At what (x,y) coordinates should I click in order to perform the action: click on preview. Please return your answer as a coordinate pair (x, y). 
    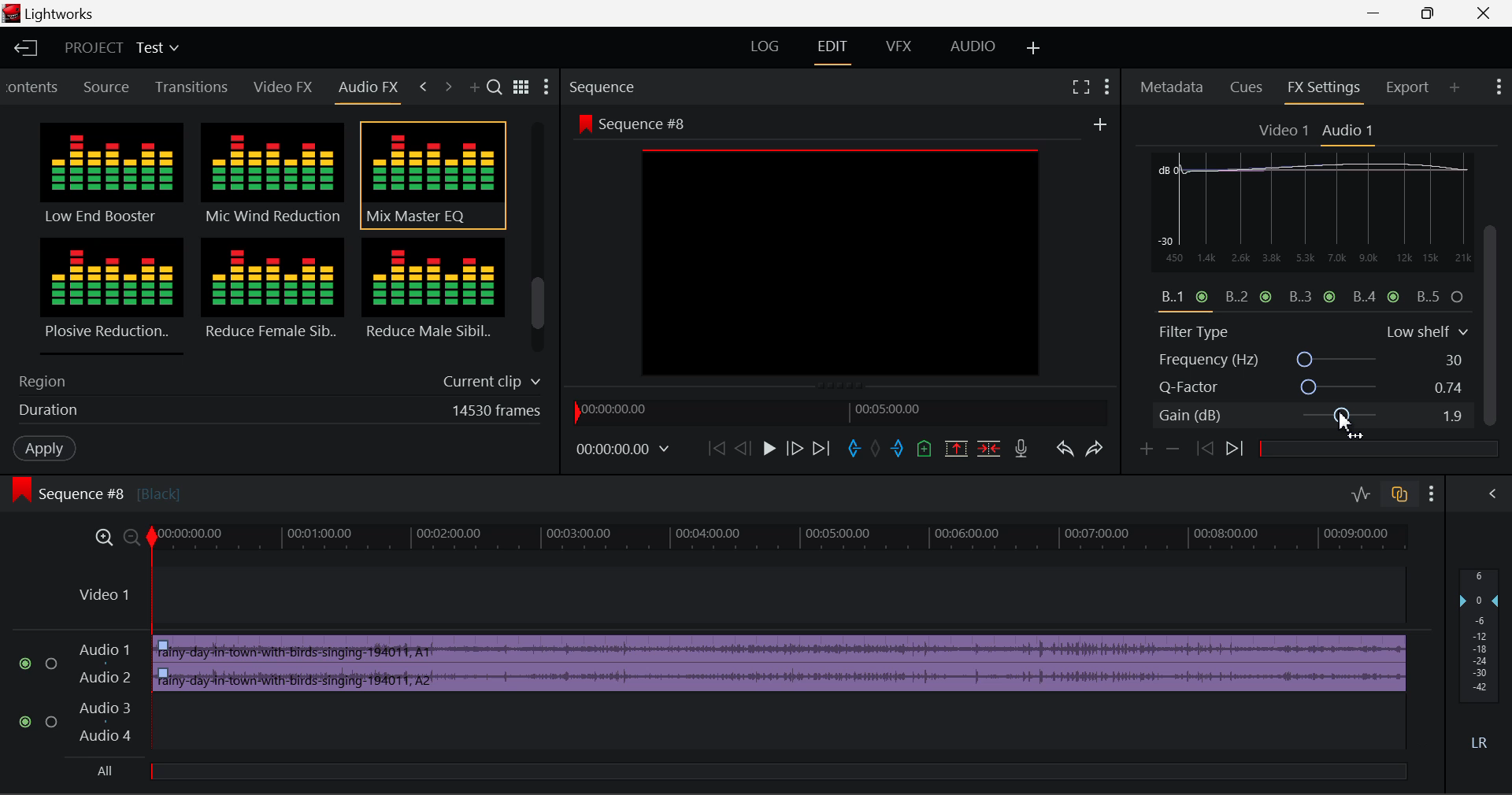
    Looking at the image, I should click on (842, 264).